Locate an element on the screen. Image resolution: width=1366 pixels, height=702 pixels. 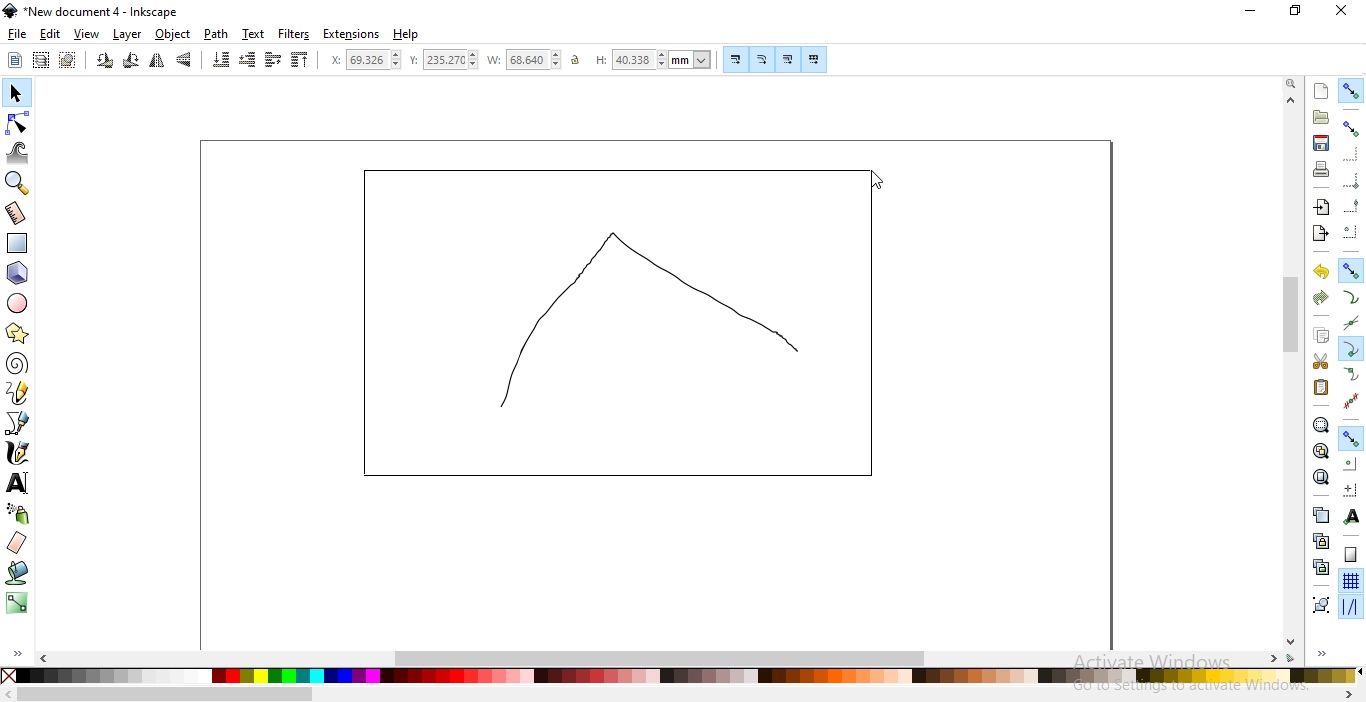
snap an item's rotation center is located at coordinates (1350, 489).